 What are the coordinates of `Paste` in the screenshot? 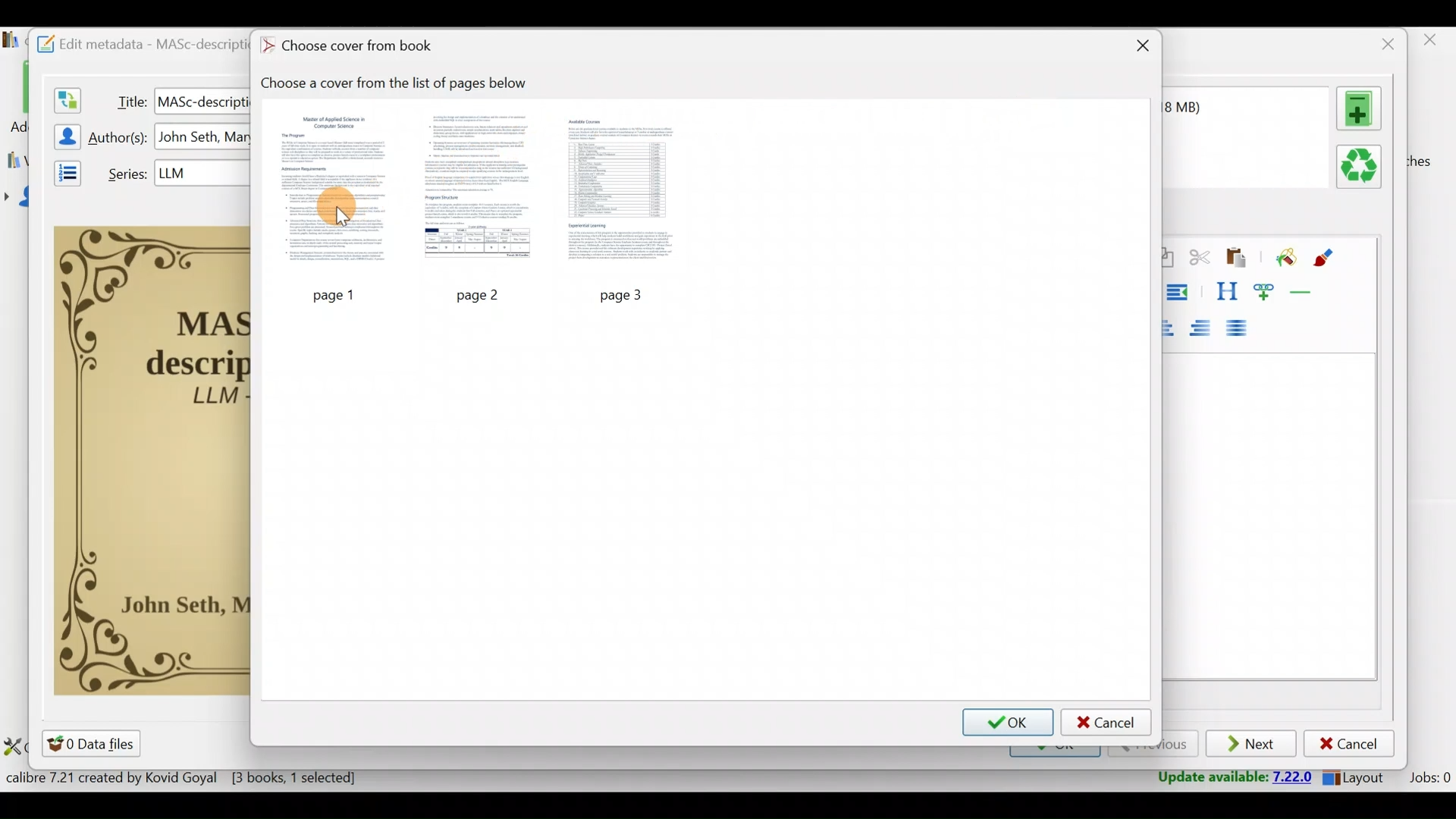 It's located at (1239, 259).